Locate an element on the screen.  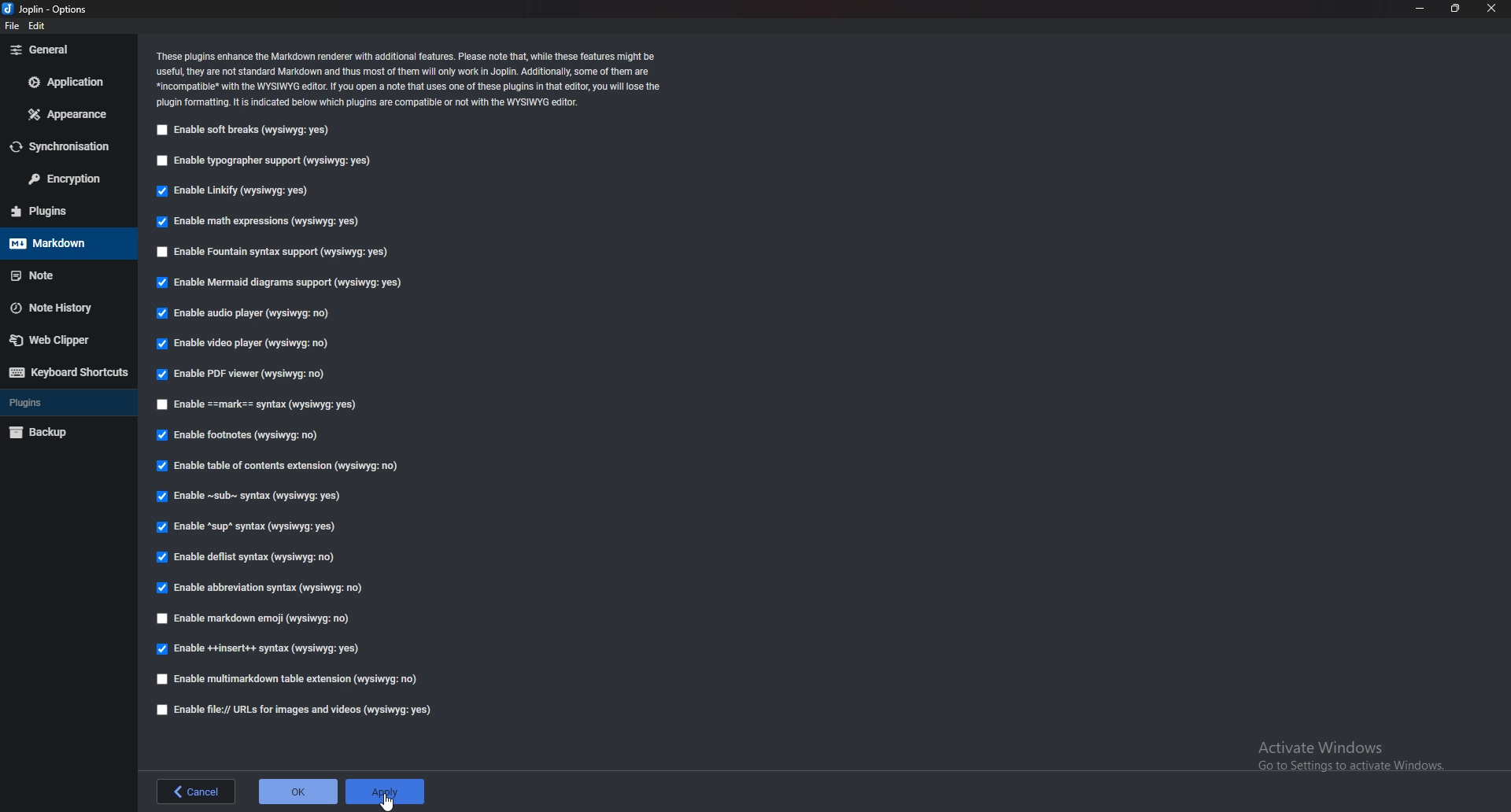
Enable soft breaks is located at coordinates (240, 131).